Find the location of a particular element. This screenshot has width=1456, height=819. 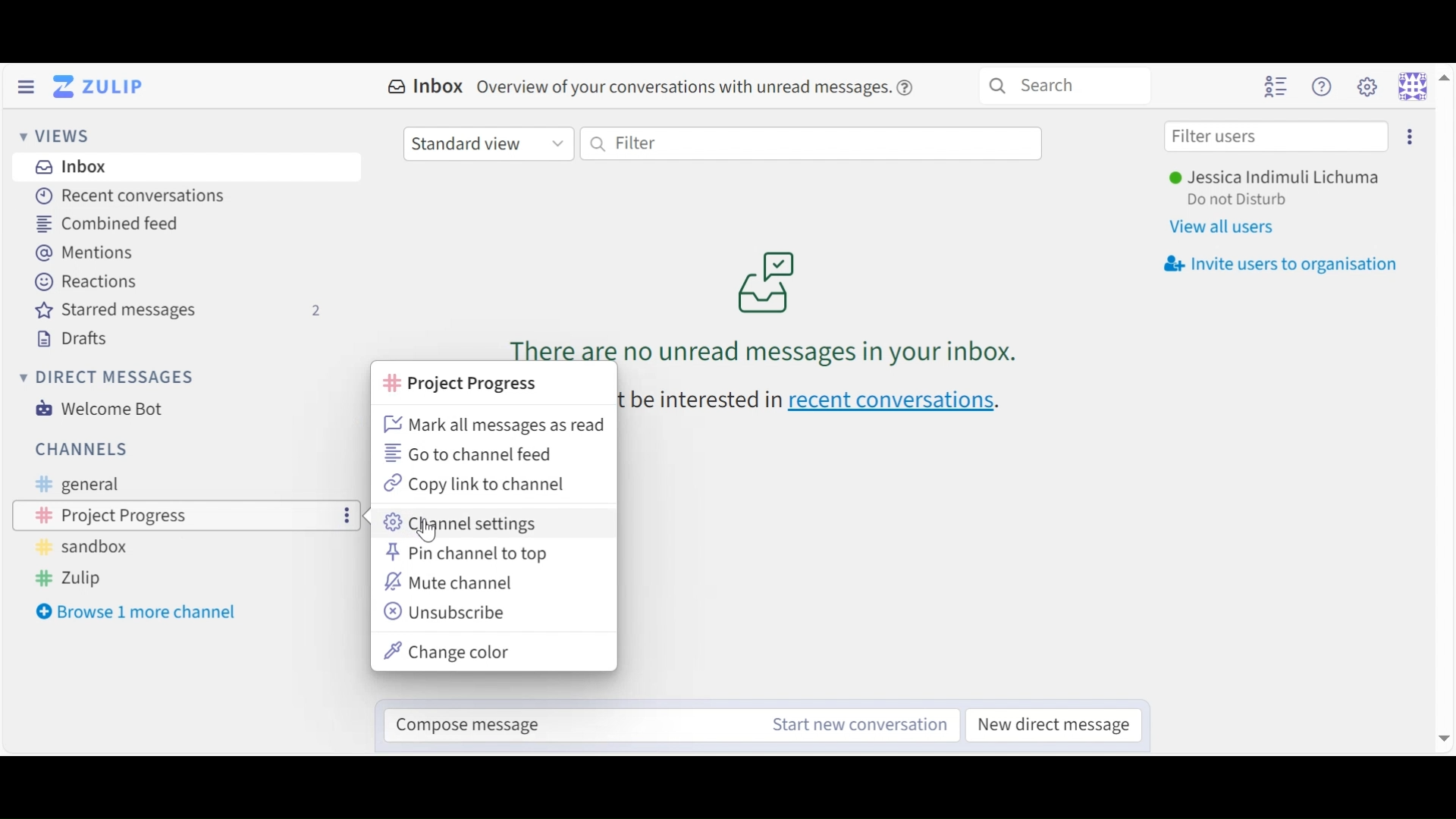

Compose message is located at coordinates (572, 722).